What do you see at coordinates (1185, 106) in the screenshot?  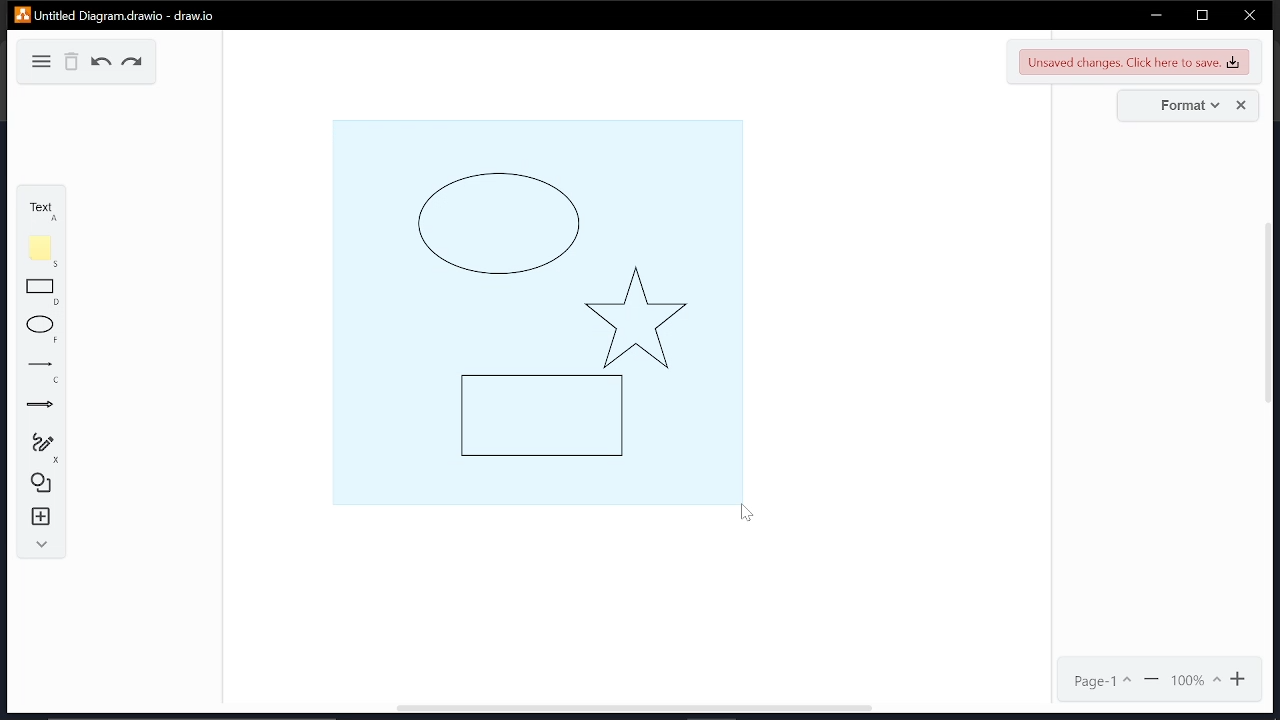 I see `format` at bounding box center [1185, 106].